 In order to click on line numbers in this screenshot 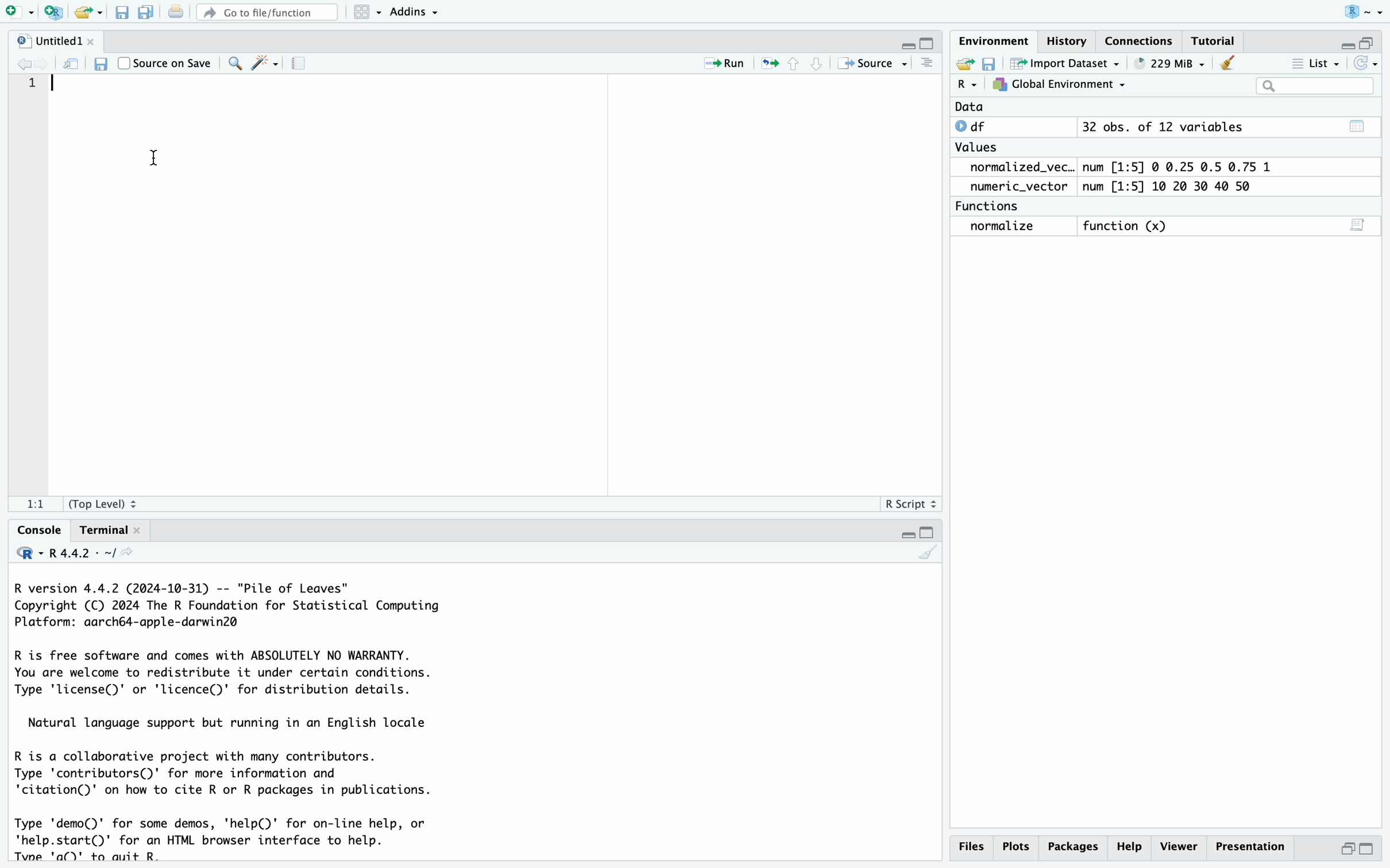, I will do `click(32, 137)`.